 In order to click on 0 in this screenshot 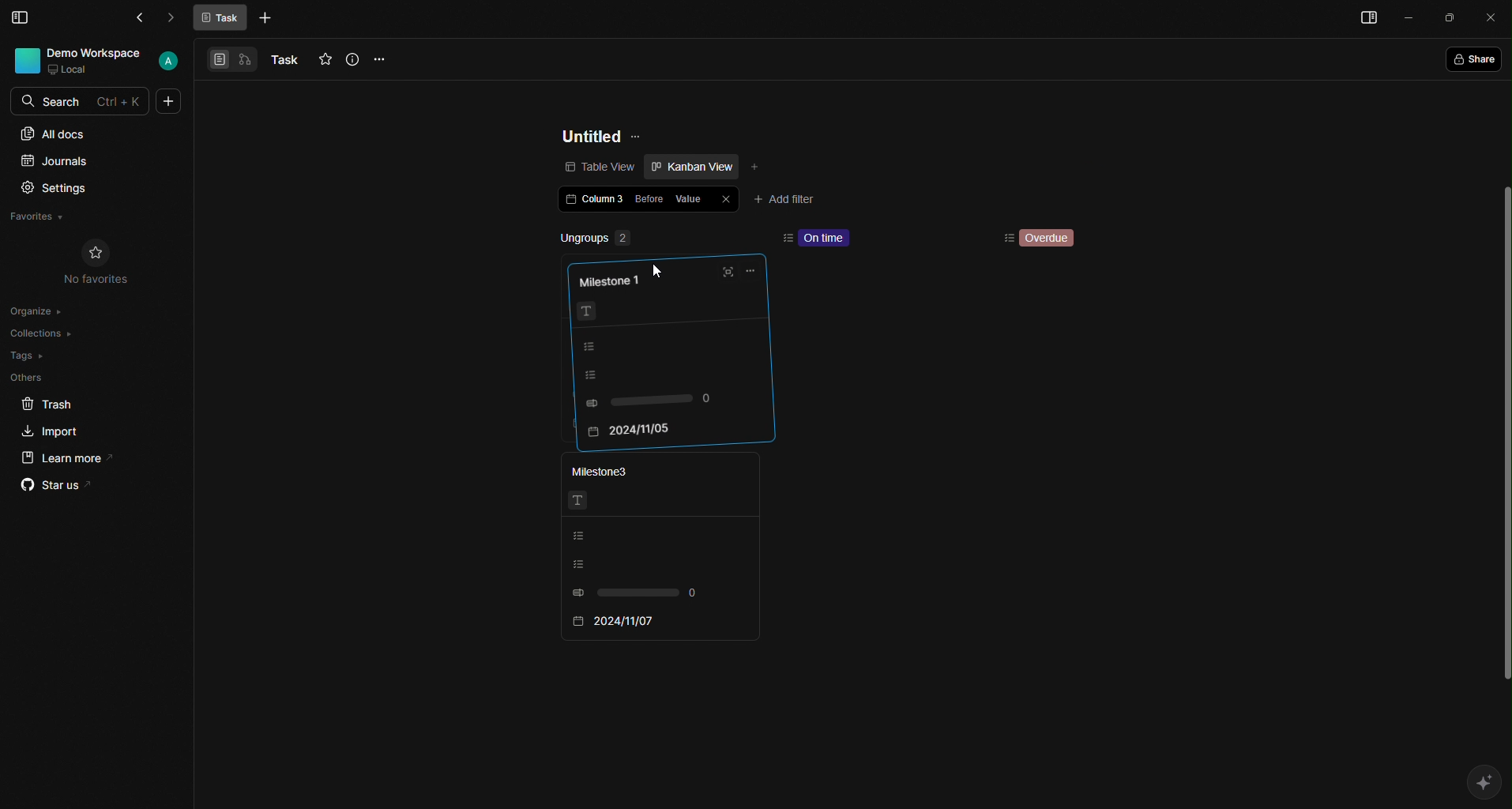, I will do `click(634, 593)`.